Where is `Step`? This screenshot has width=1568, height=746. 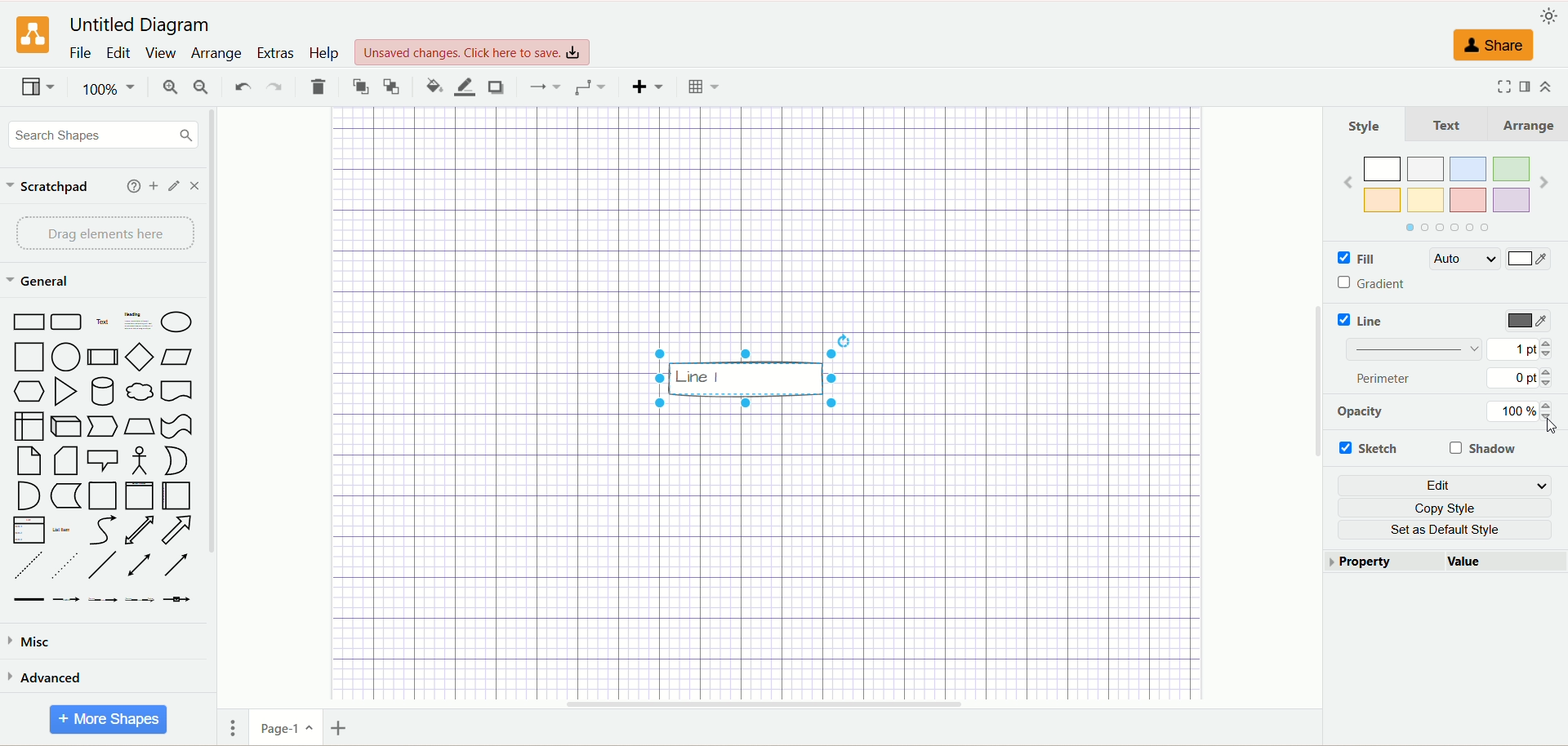
Step is located at coordinates (105, 427).